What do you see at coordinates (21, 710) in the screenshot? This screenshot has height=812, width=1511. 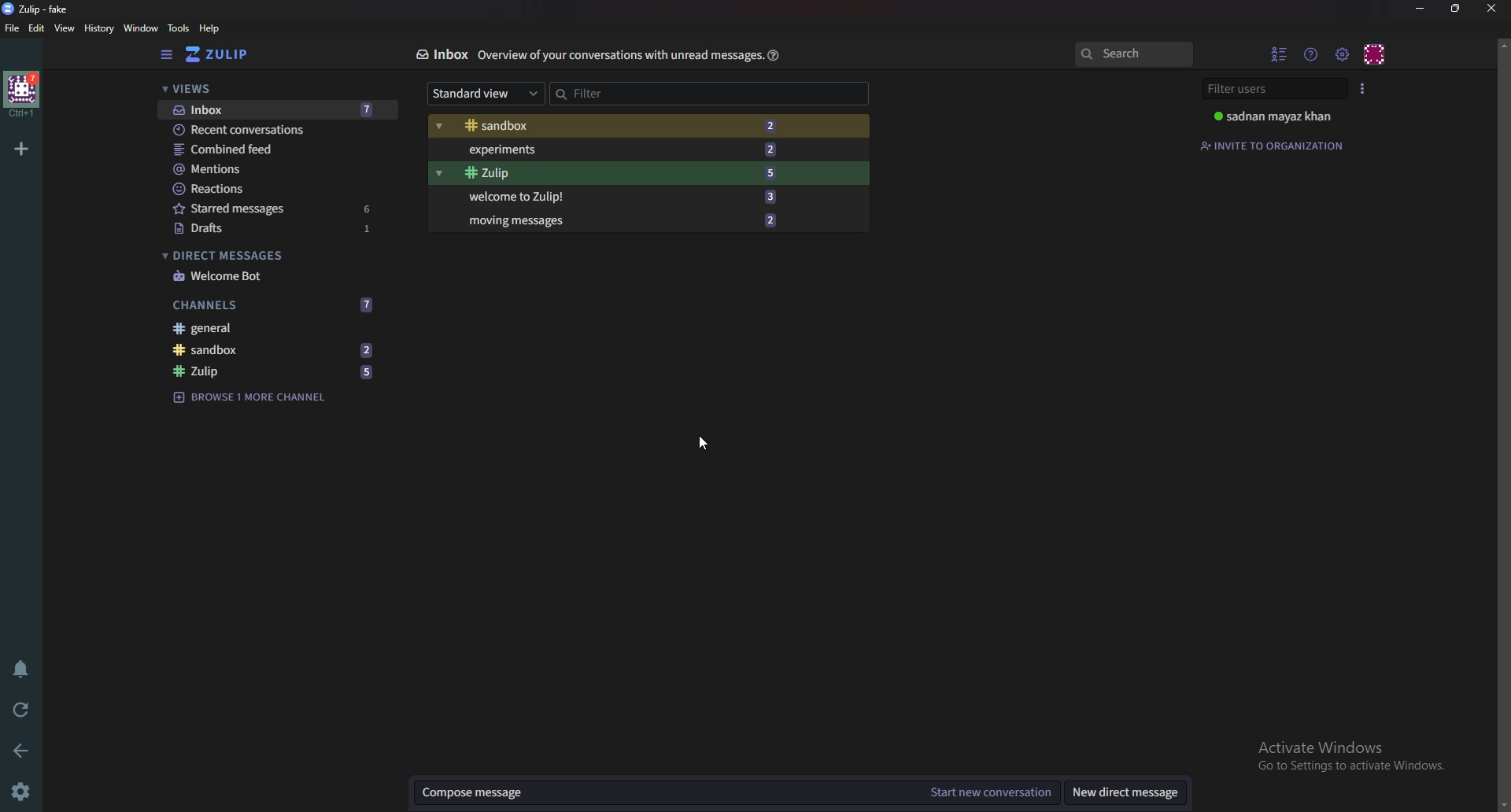 I see `Reload` at bounding box center [21, 710].